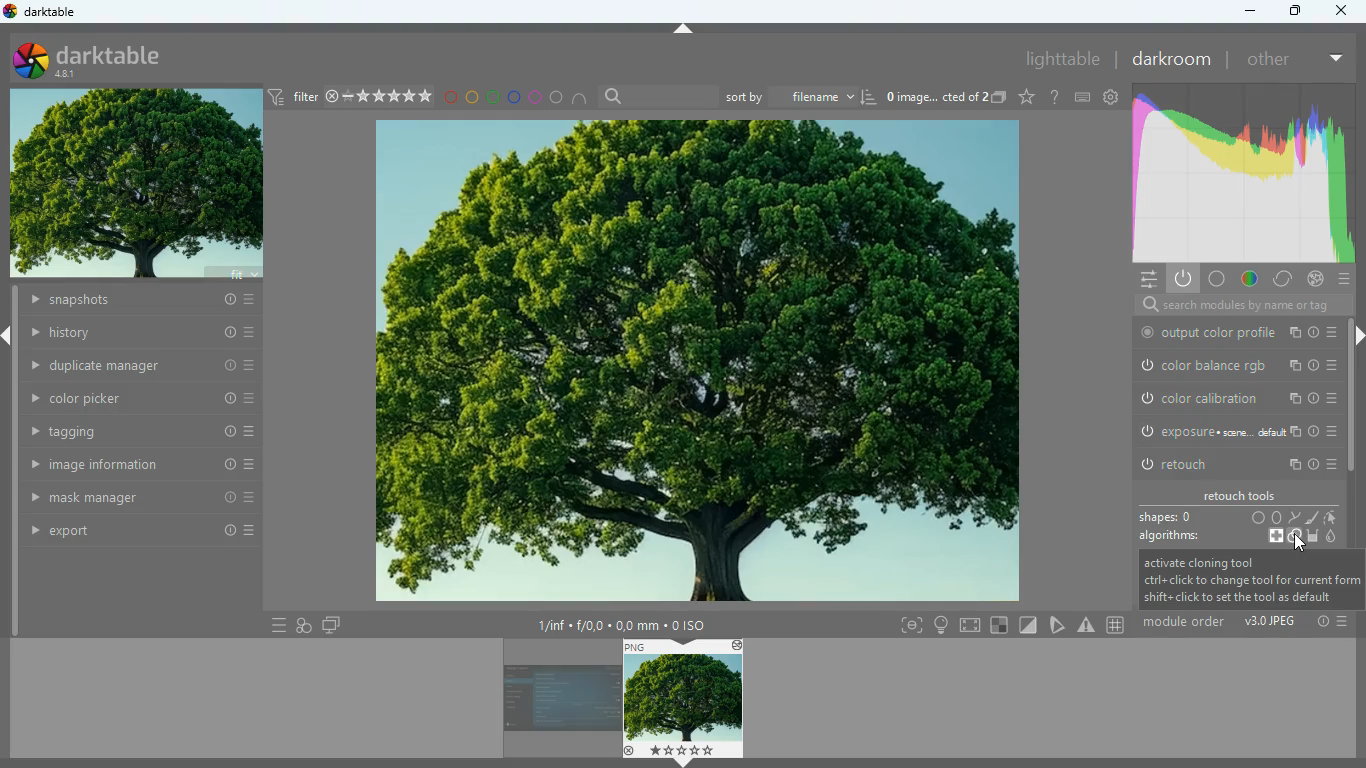  Describe the element at coordinates (13, 464) in the screenshot. I see `Scroll bar` at that location.